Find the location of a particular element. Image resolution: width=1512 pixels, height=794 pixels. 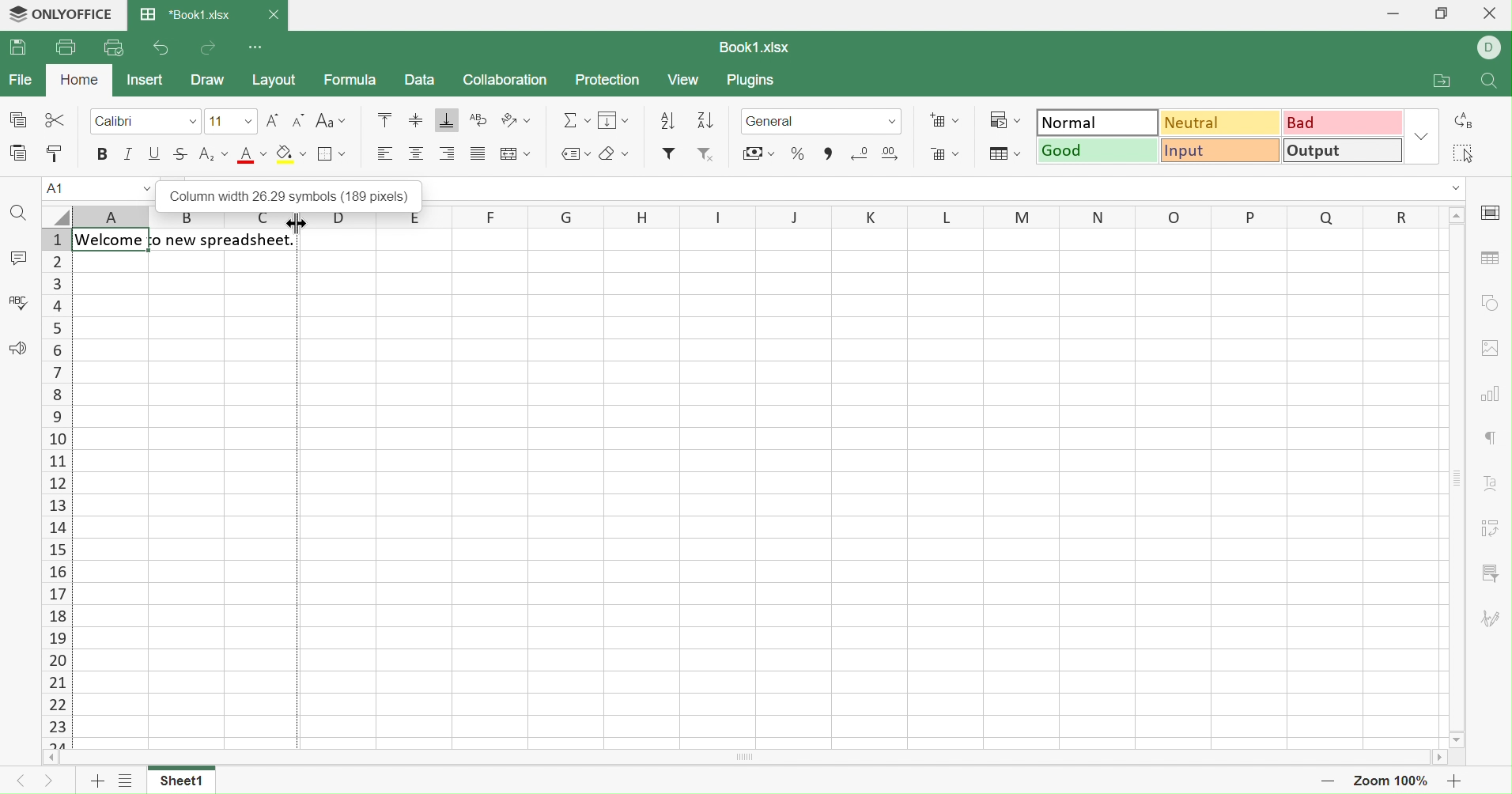

Plugins is located at coordinates (754, 81).